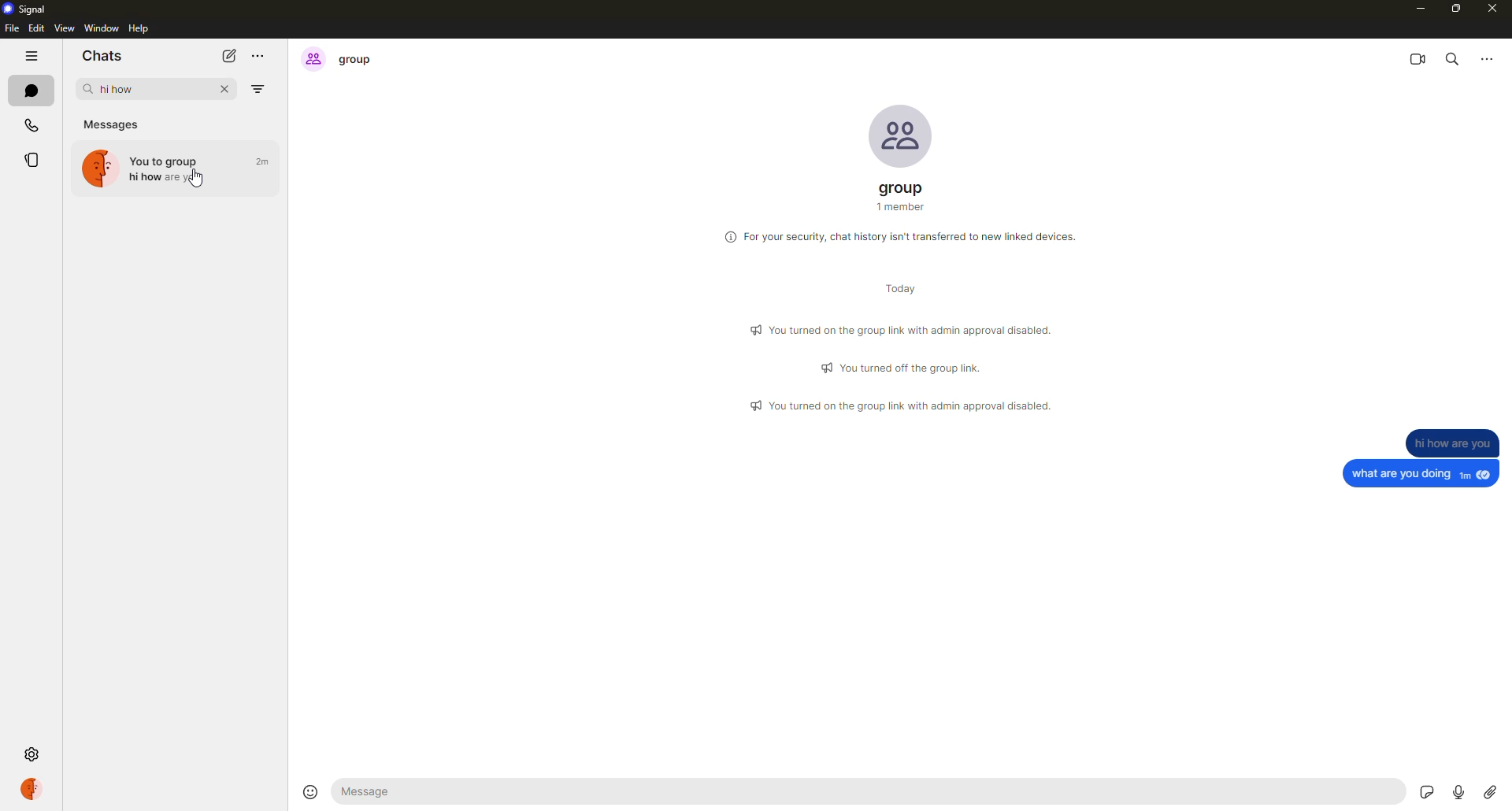 The width and height of the screenshot is (1512, 811). What do you see at coordinates (30, 89) in the screenshot?
I see `chats` at bounding box center [30, 89].